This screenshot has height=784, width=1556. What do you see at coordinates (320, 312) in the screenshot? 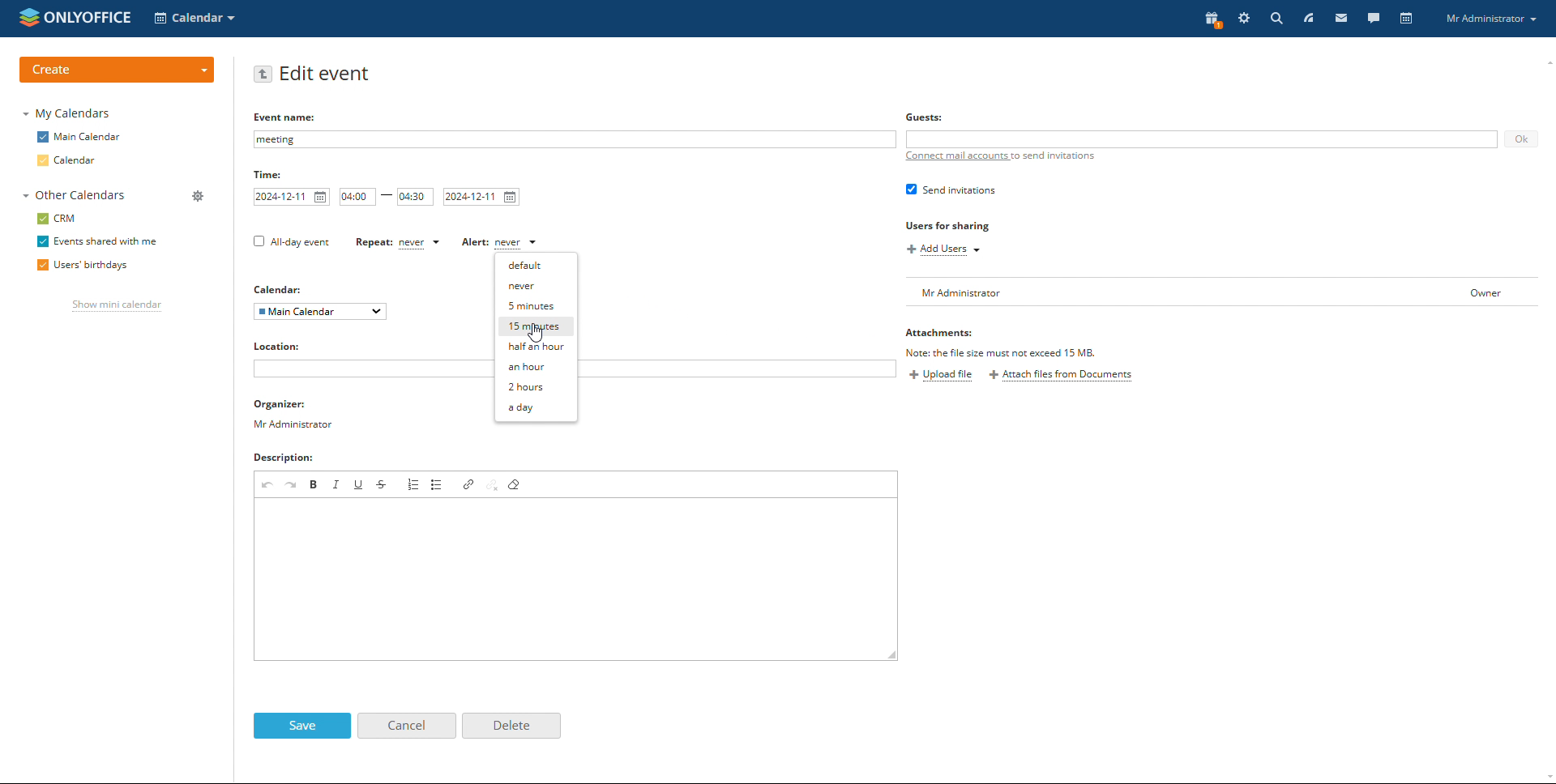
I see `select calendar` at bounding box center [320, 312].